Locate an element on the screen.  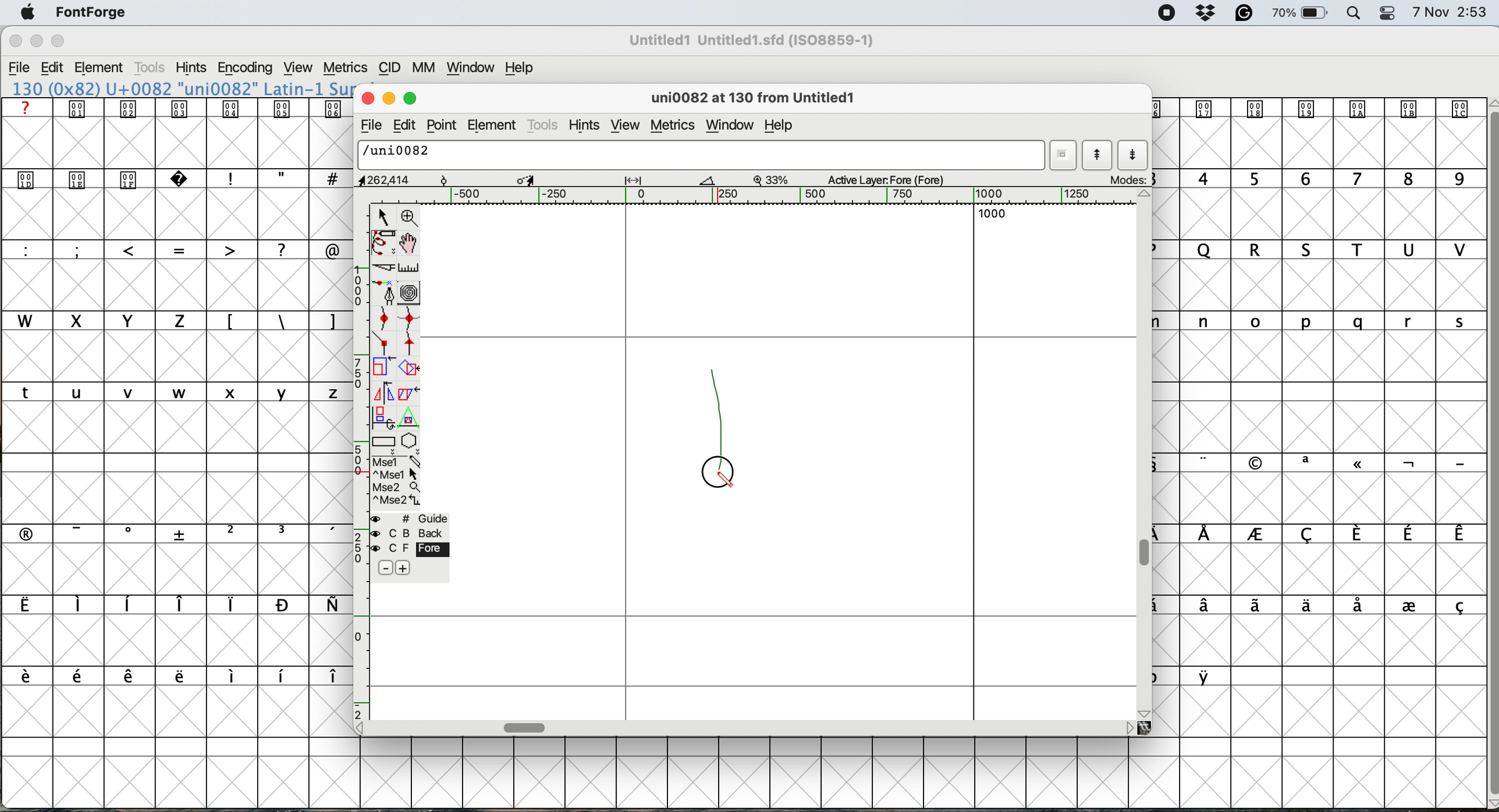
remove is located at coordinates (382, 568).